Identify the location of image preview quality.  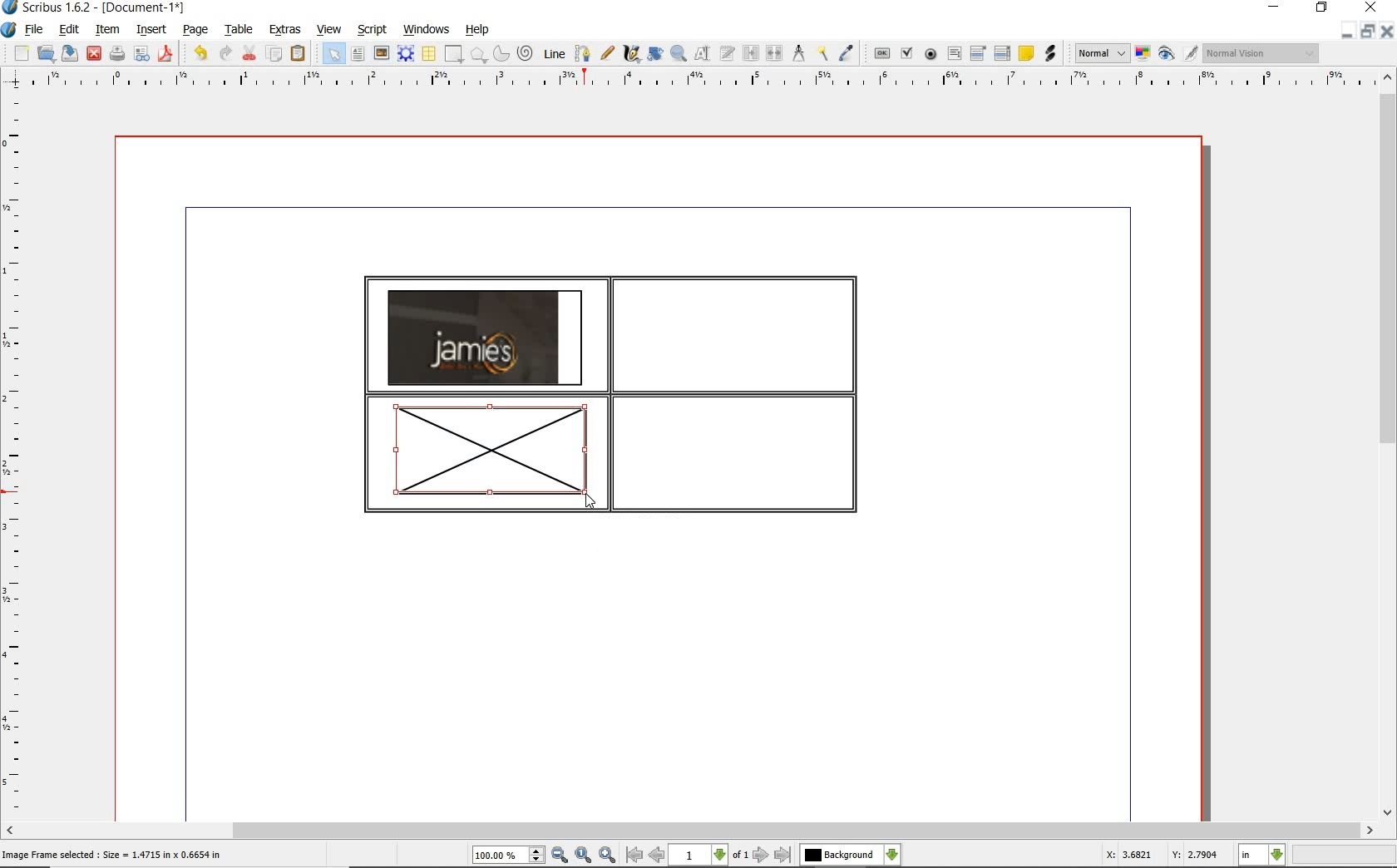
(1101, 52).